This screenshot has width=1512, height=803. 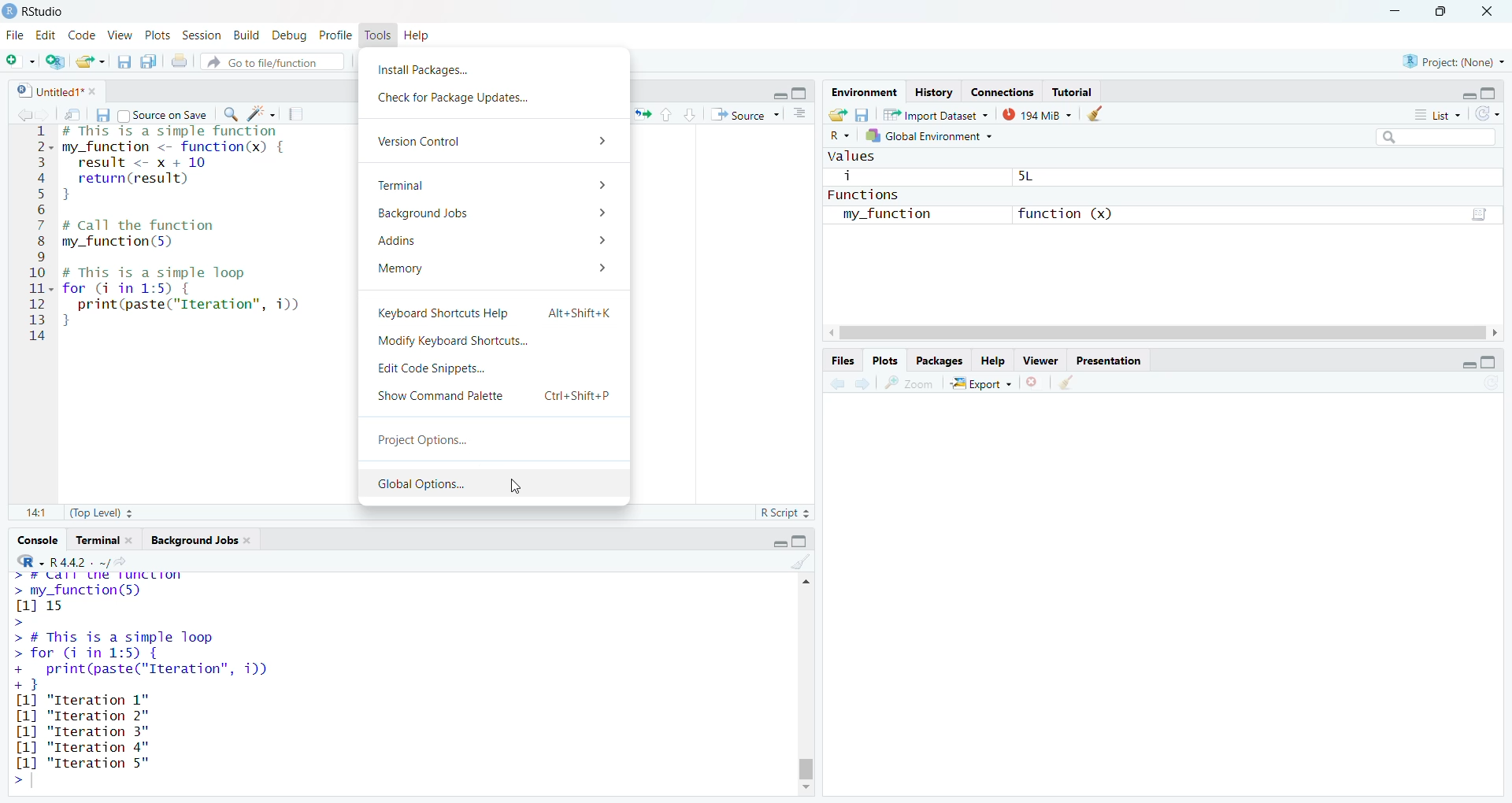 What do you see at coordinates (422, 34) in the screenshot?
I see `help` at bounding box center [422, 34].